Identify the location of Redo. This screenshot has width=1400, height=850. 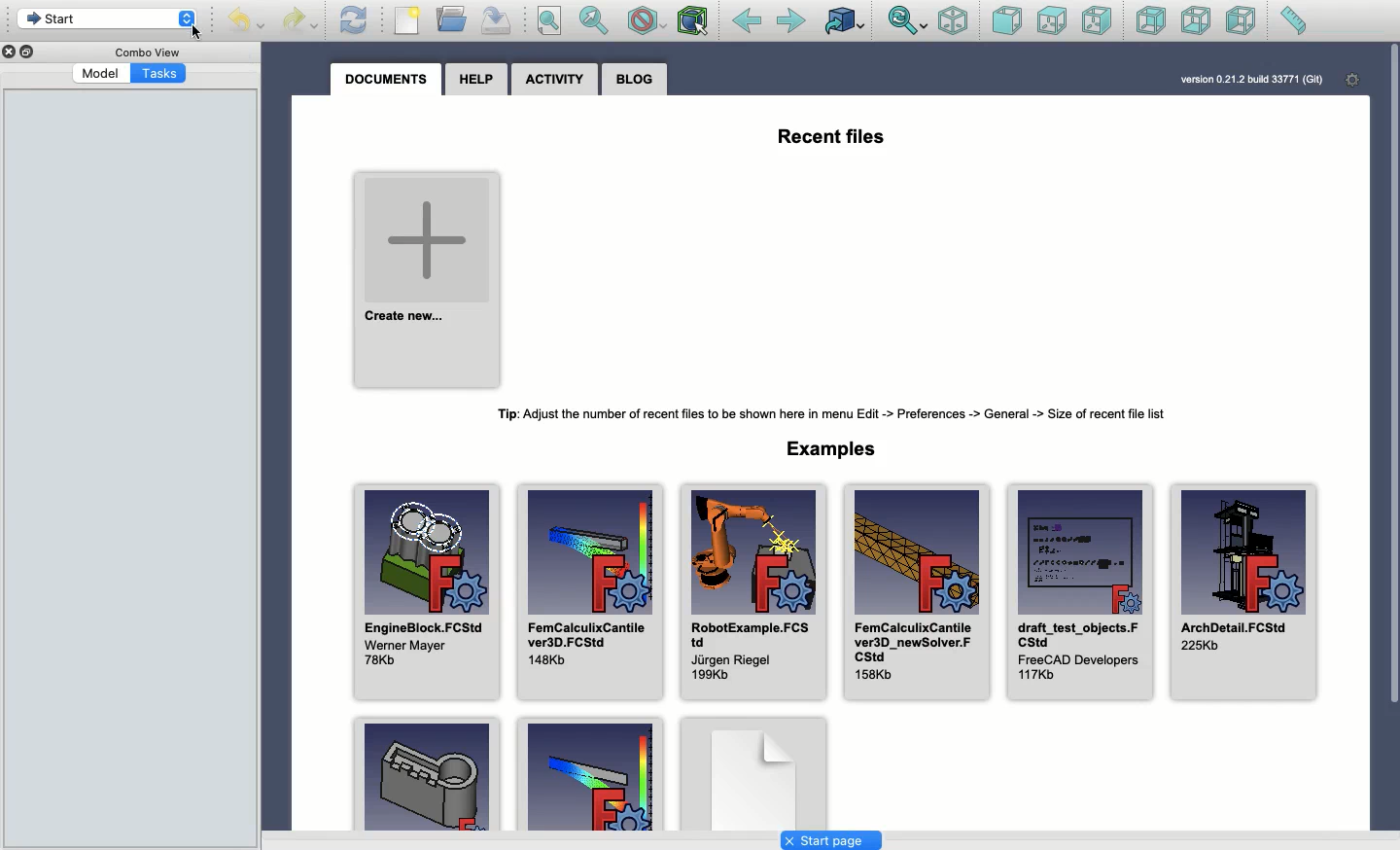
(303, 20).